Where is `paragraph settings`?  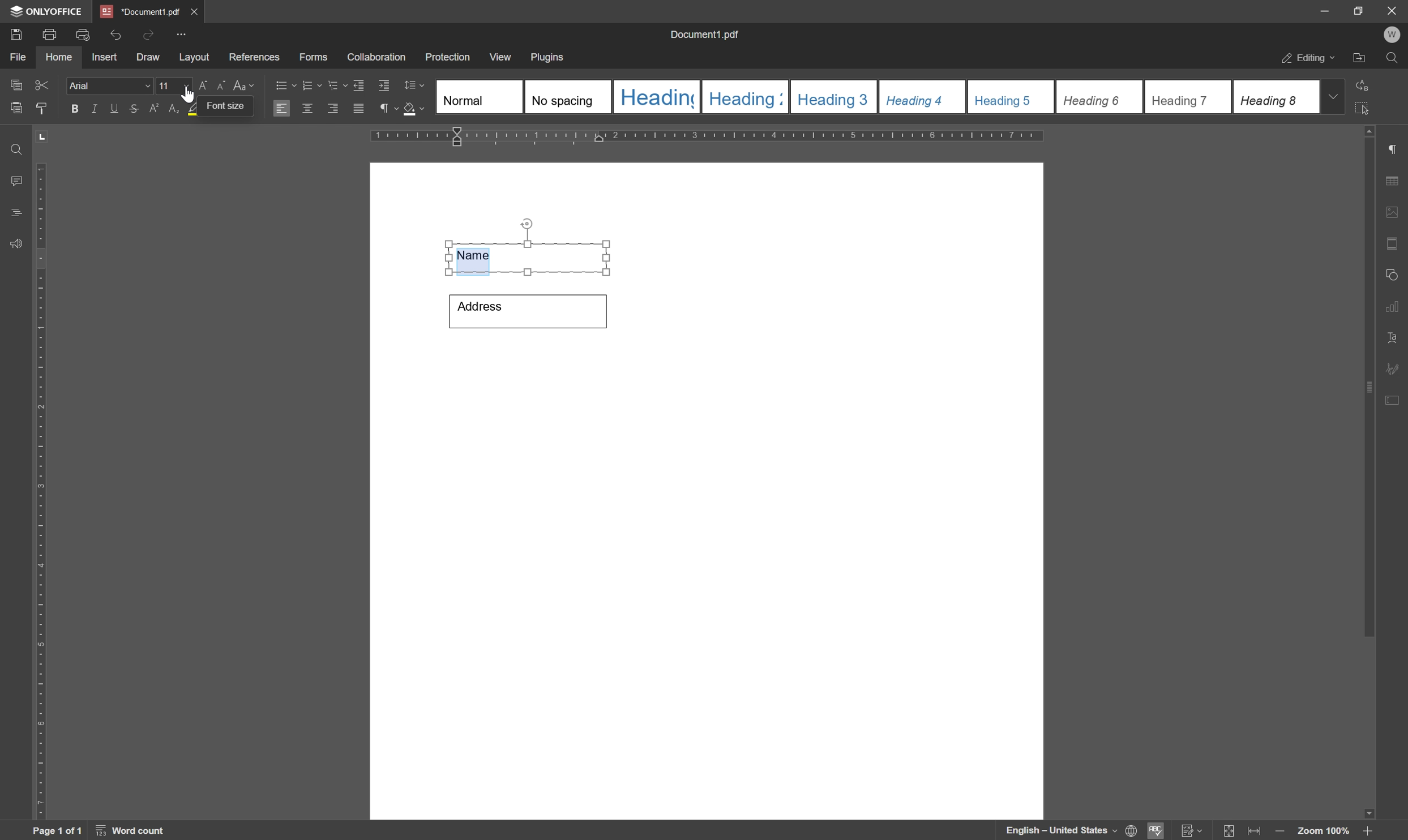
paragraph settings is located at coordinates (1398, 149).